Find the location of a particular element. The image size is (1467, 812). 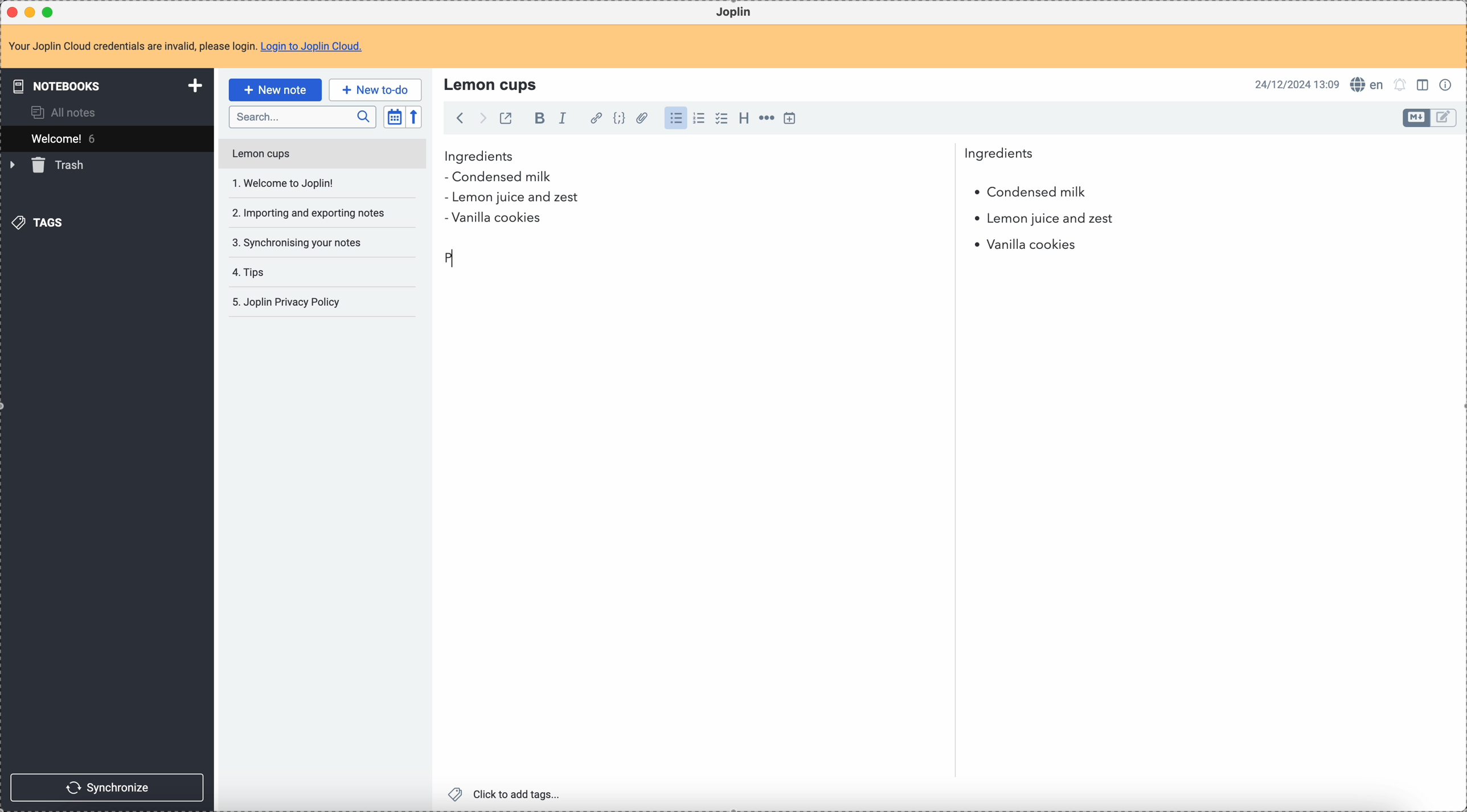

set notifications is located at coordinates (1400, 84).